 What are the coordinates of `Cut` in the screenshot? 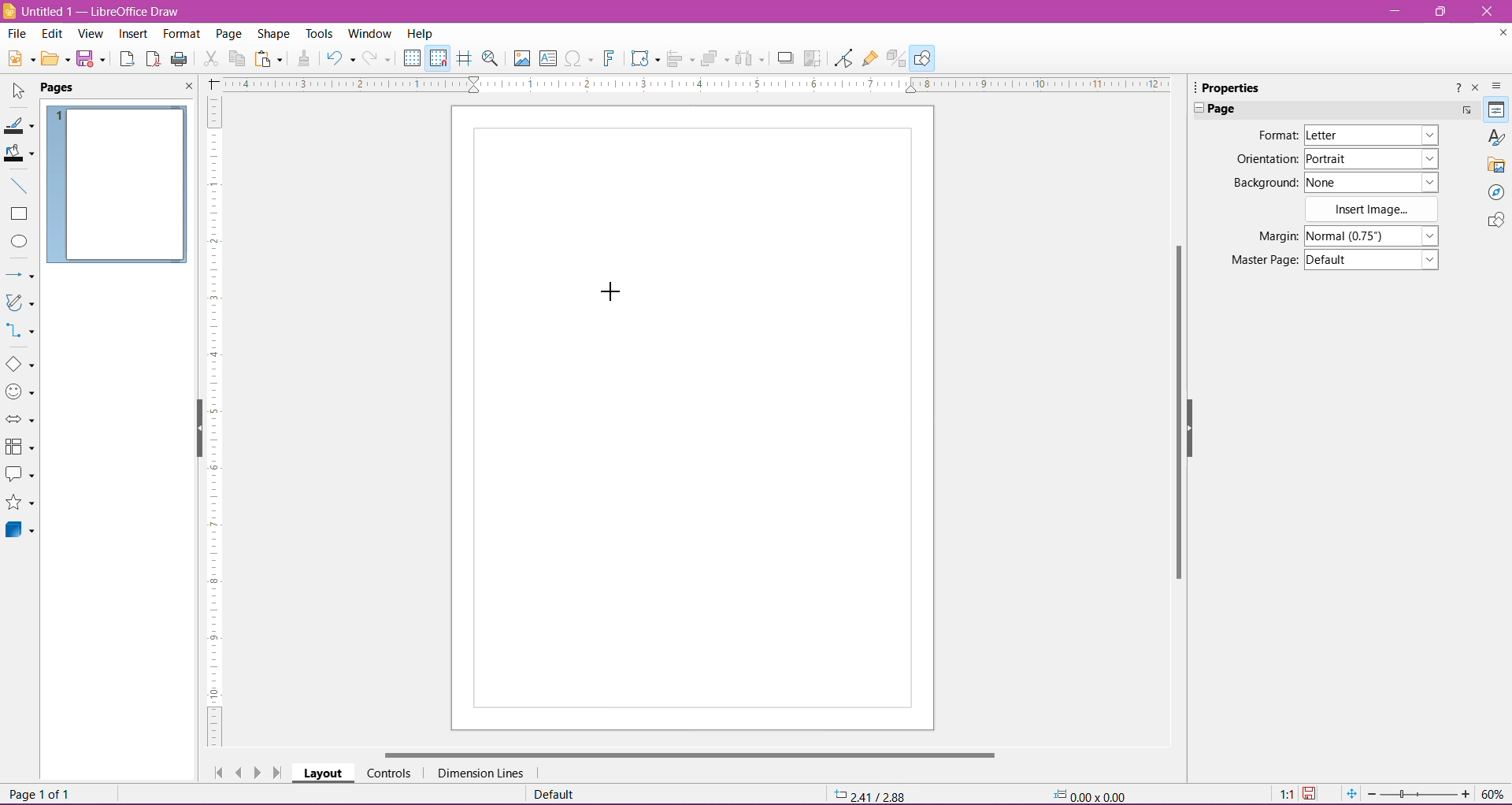 It's located at (210, 61).